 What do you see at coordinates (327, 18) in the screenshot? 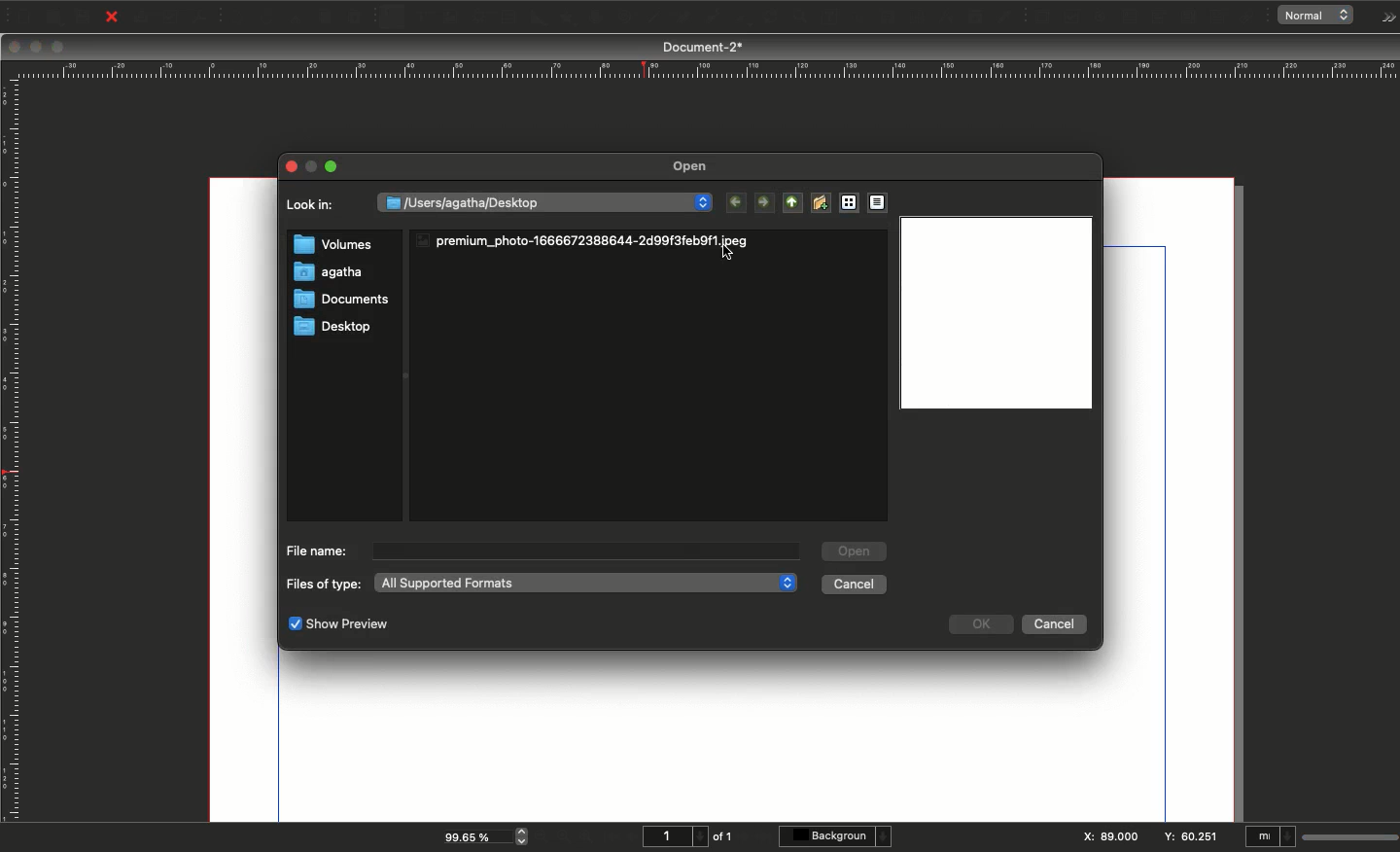
I see `Copy` at bounding box center [327, 18].